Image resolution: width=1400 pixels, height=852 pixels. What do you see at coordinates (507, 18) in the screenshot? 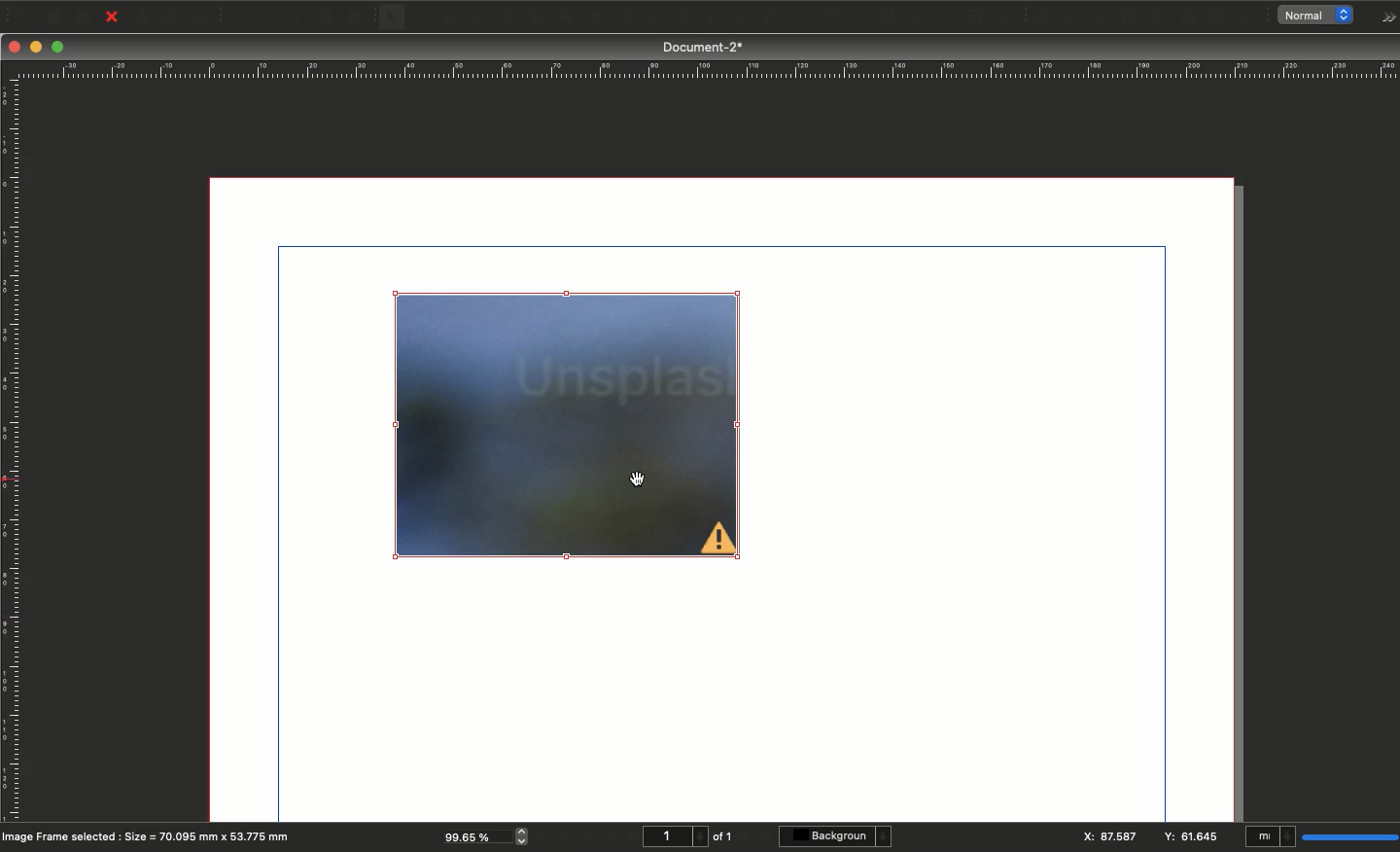
I see `Table` at bounding box center [507, 18].